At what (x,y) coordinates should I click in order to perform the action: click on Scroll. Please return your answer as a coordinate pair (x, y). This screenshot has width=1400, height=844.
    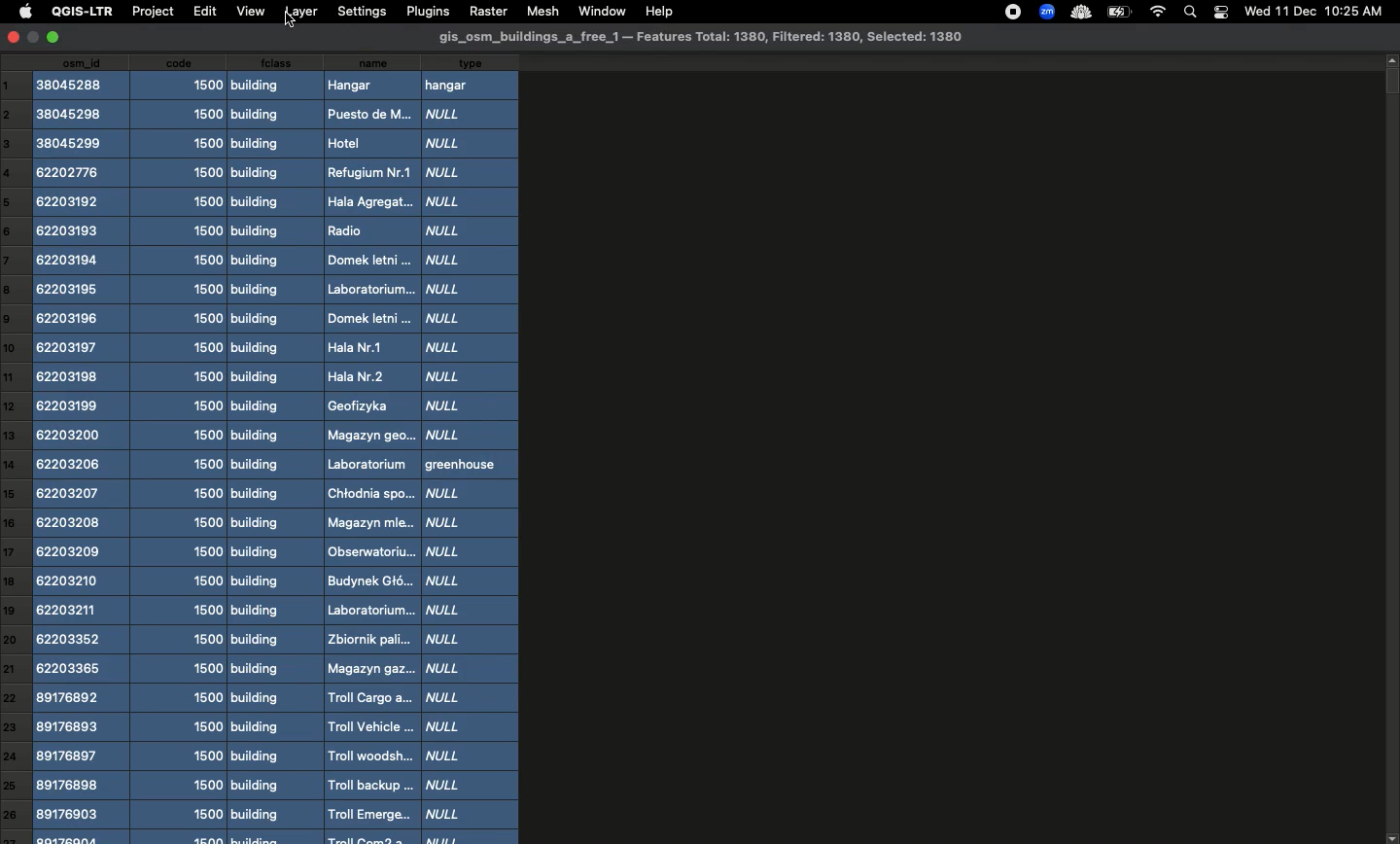
    Looking at the image, I should click on (1391, 448).